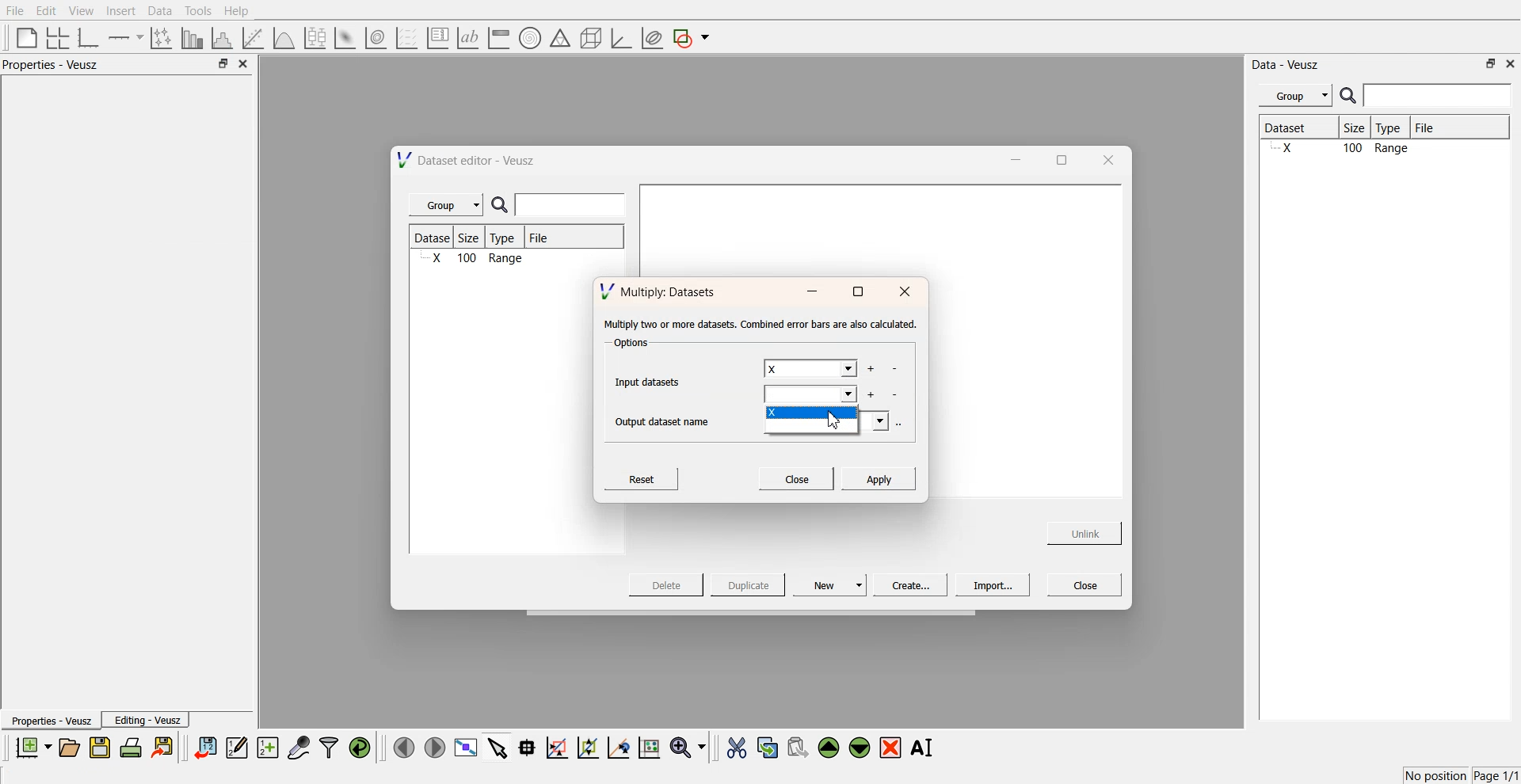 This screenshot has height=784, width=1521. What do you see at coordinates (558, 40) in the screenshot?
I see `ternary shapes` at bounding box center [558, 40].